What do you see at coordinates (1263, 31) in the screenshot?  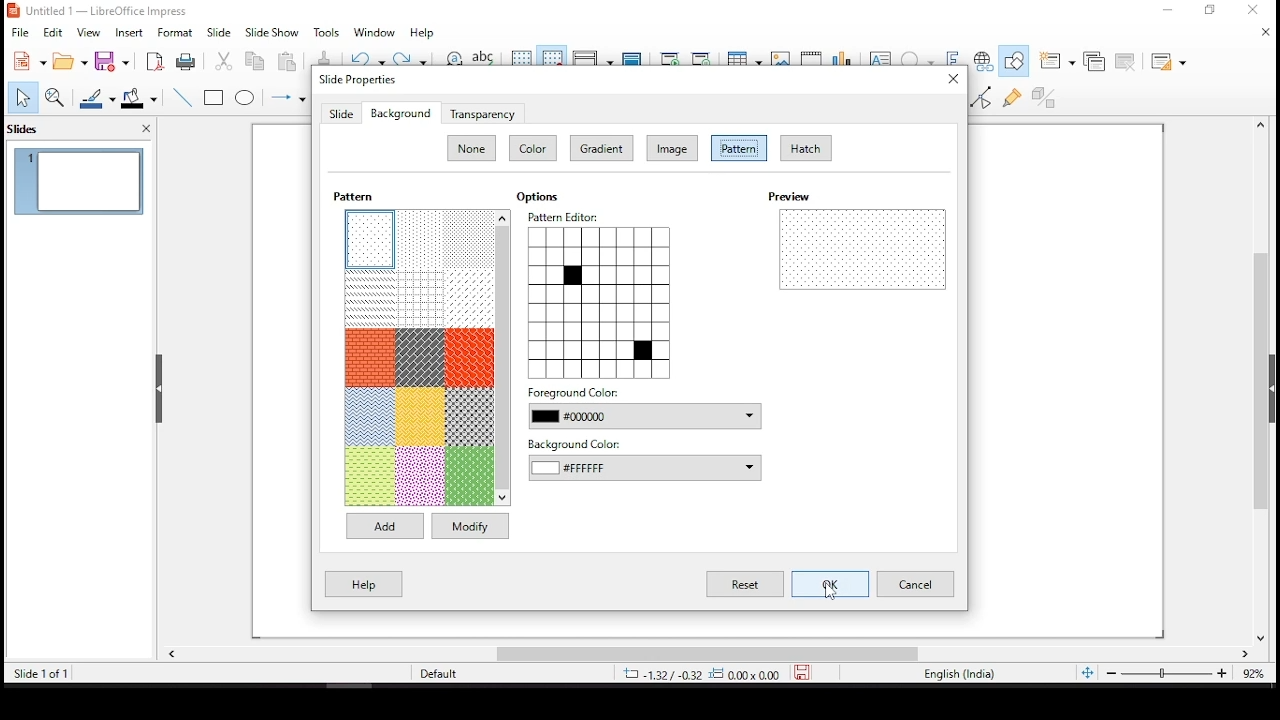 I see `close` at bounding box center [1263, 31].